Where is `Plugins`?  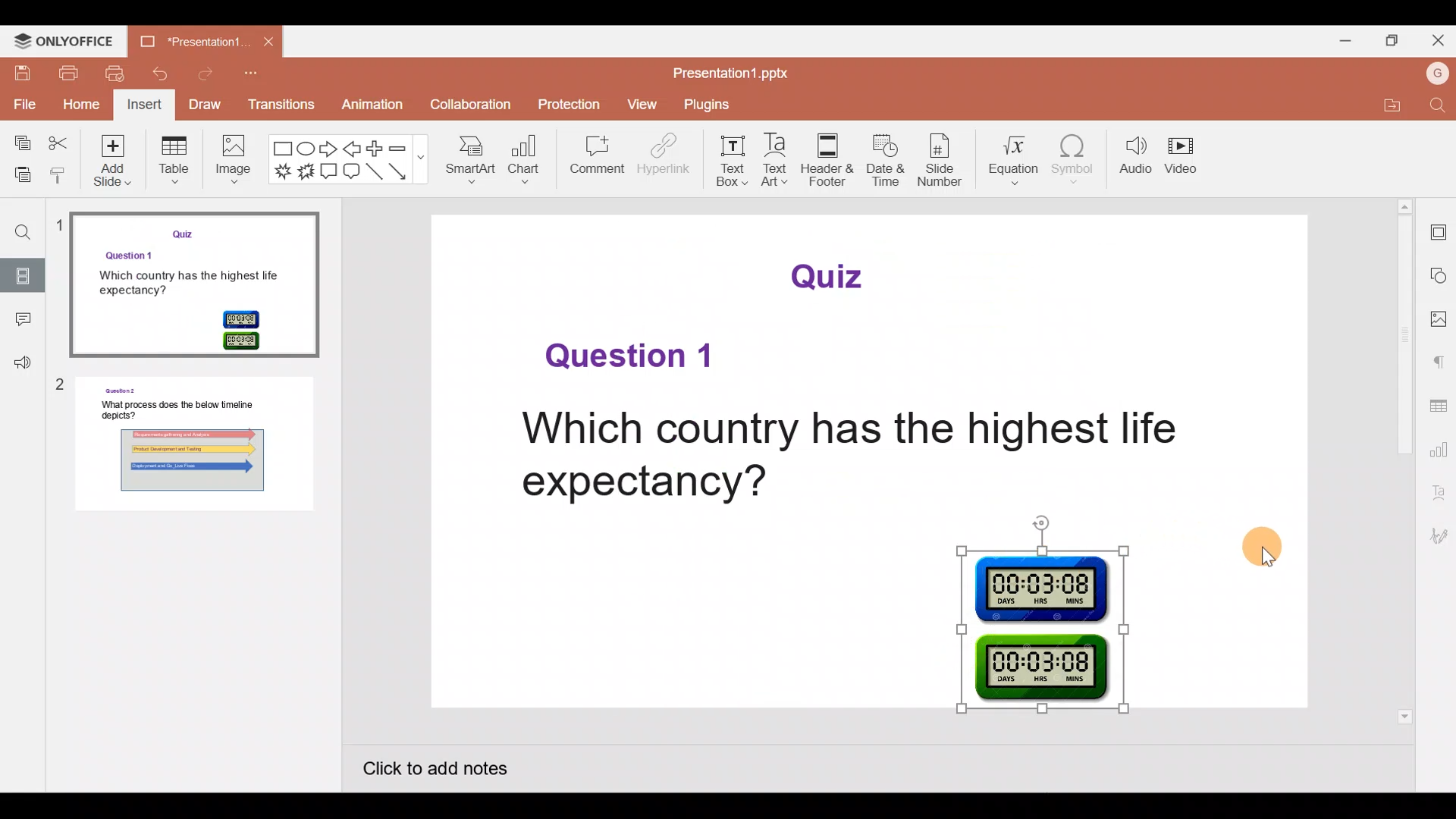 Plugins is located at coordinates (700, 105).